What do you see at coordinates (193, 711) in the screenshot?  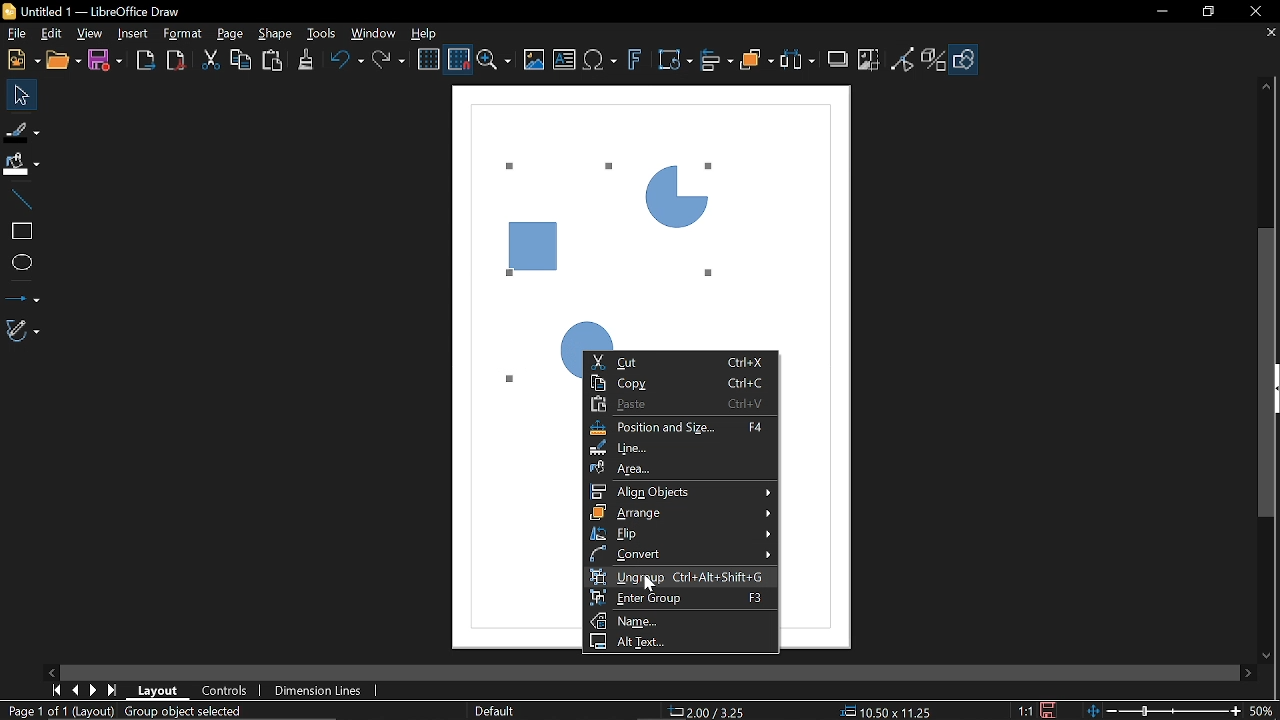 I see `Group object selected` at bounding box center [193, 711].